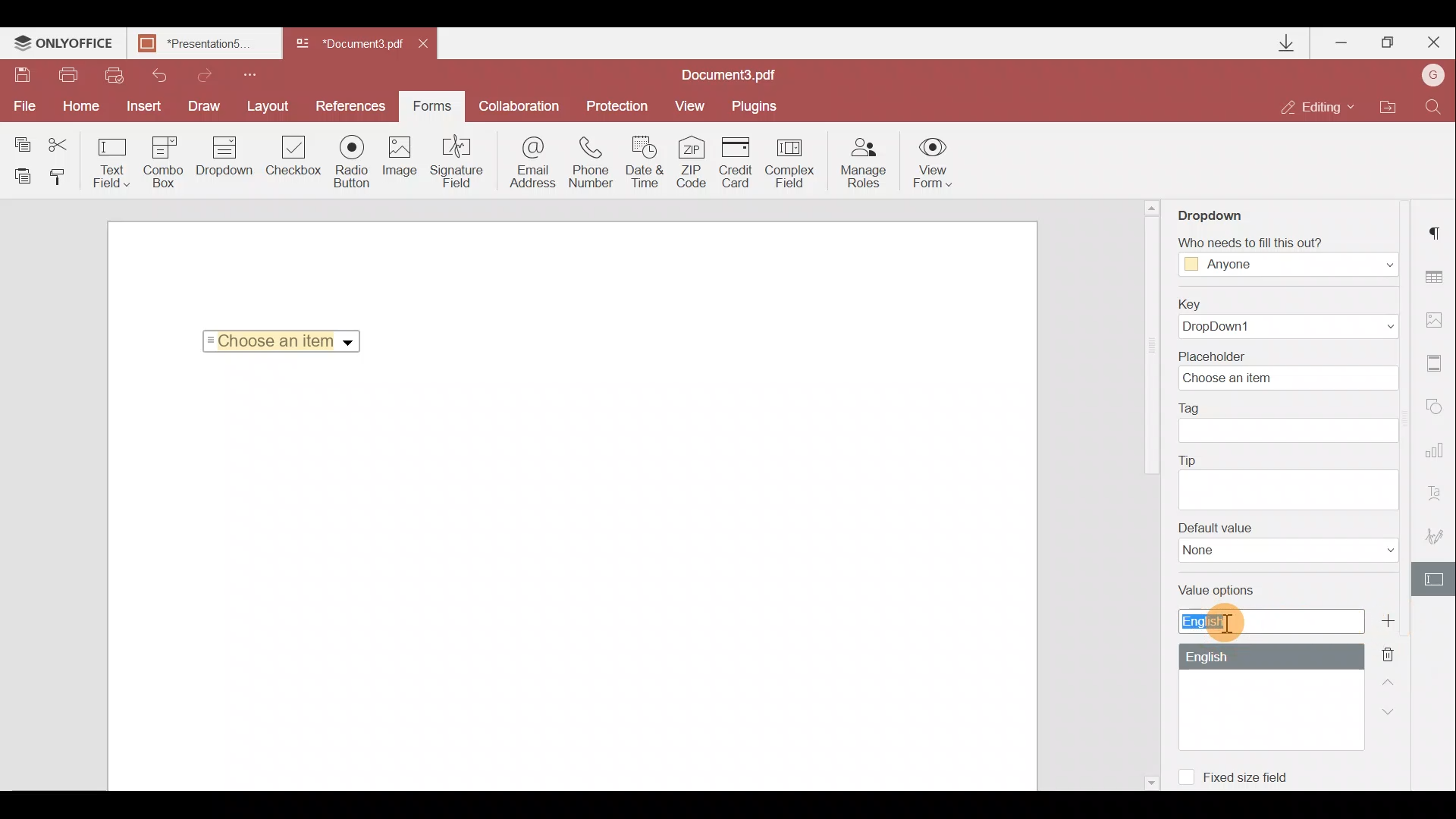  What do you see at coordinates (244, 73) in the screenshot?
I see `Customize quick access toolbar` at bounding box center [244, 73].